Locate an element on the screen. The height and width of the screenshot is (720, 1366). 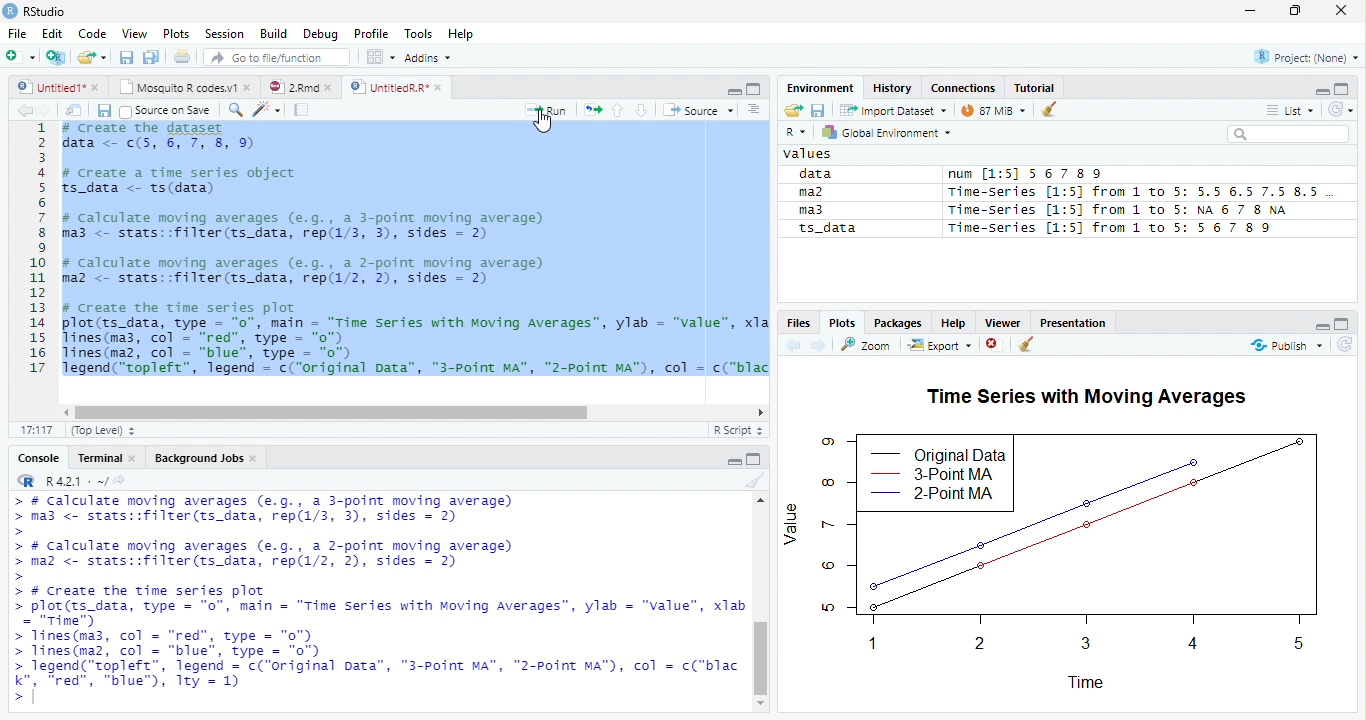
re-run the previous code is located at coordinates (593, 110).